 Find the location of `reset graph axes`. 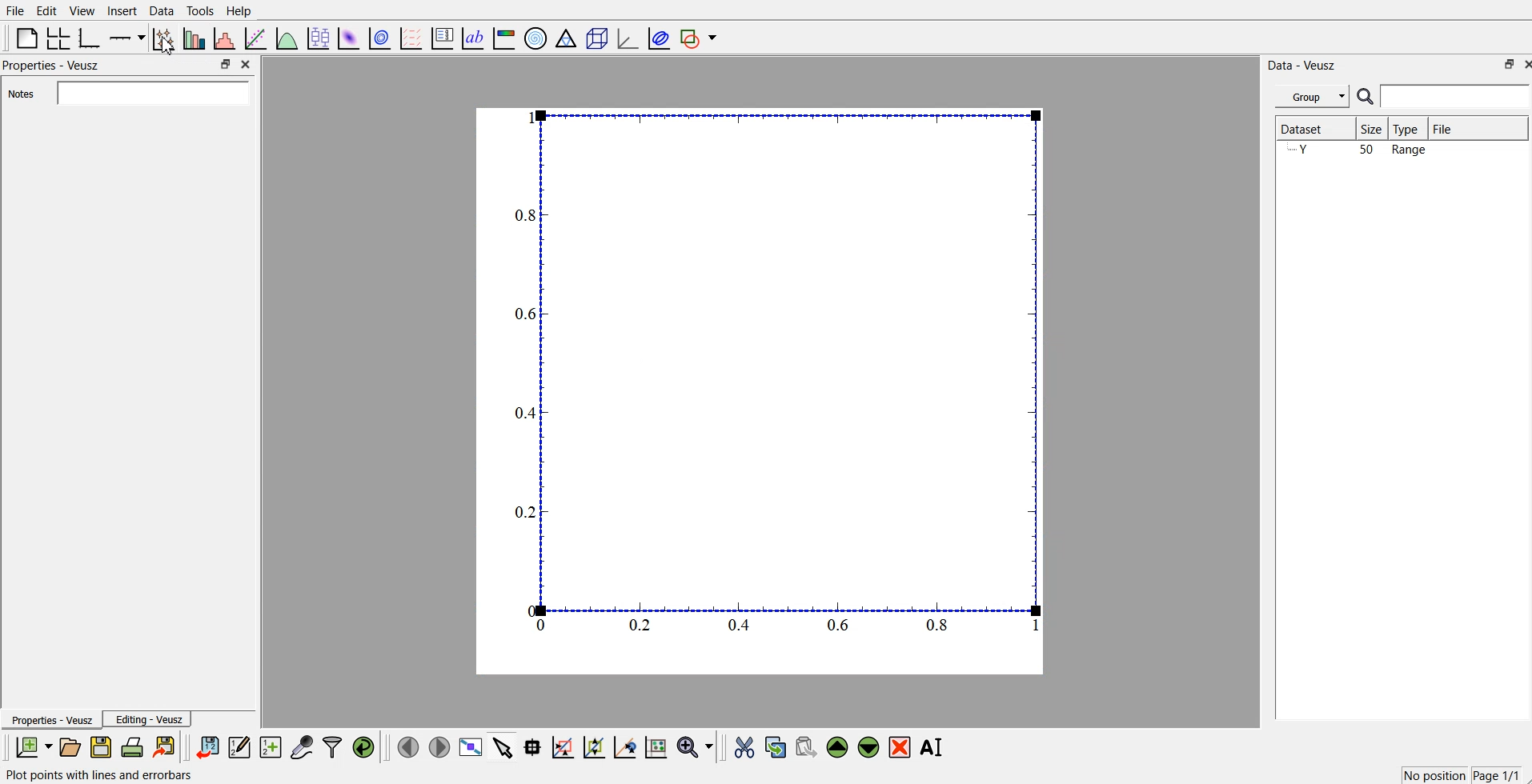

reset graph axes is located at coordinates (657, 750).